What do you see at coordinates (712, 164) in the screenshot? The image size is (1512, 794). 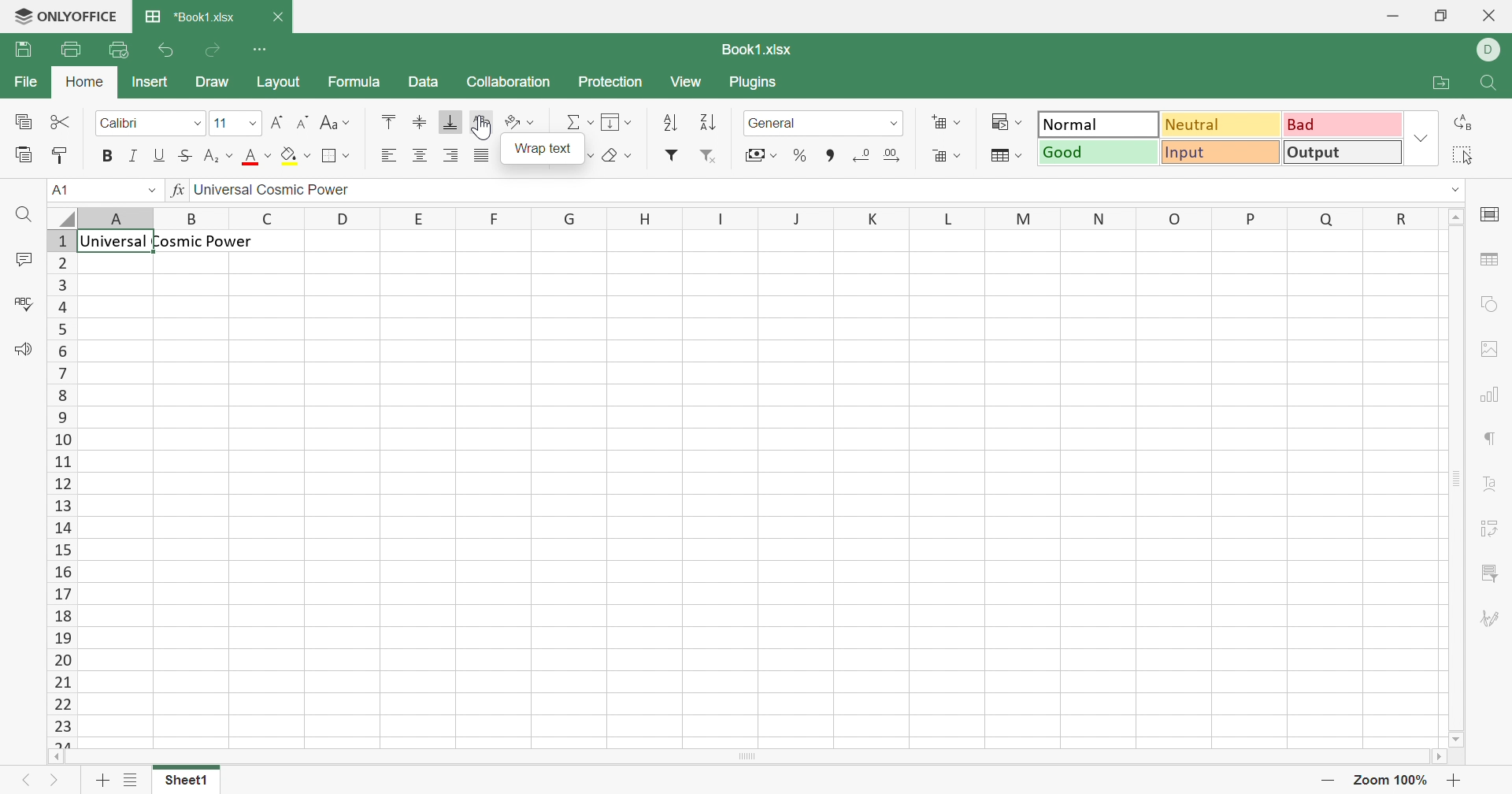 I see `Remove filter` at bounding box center [712, 164].